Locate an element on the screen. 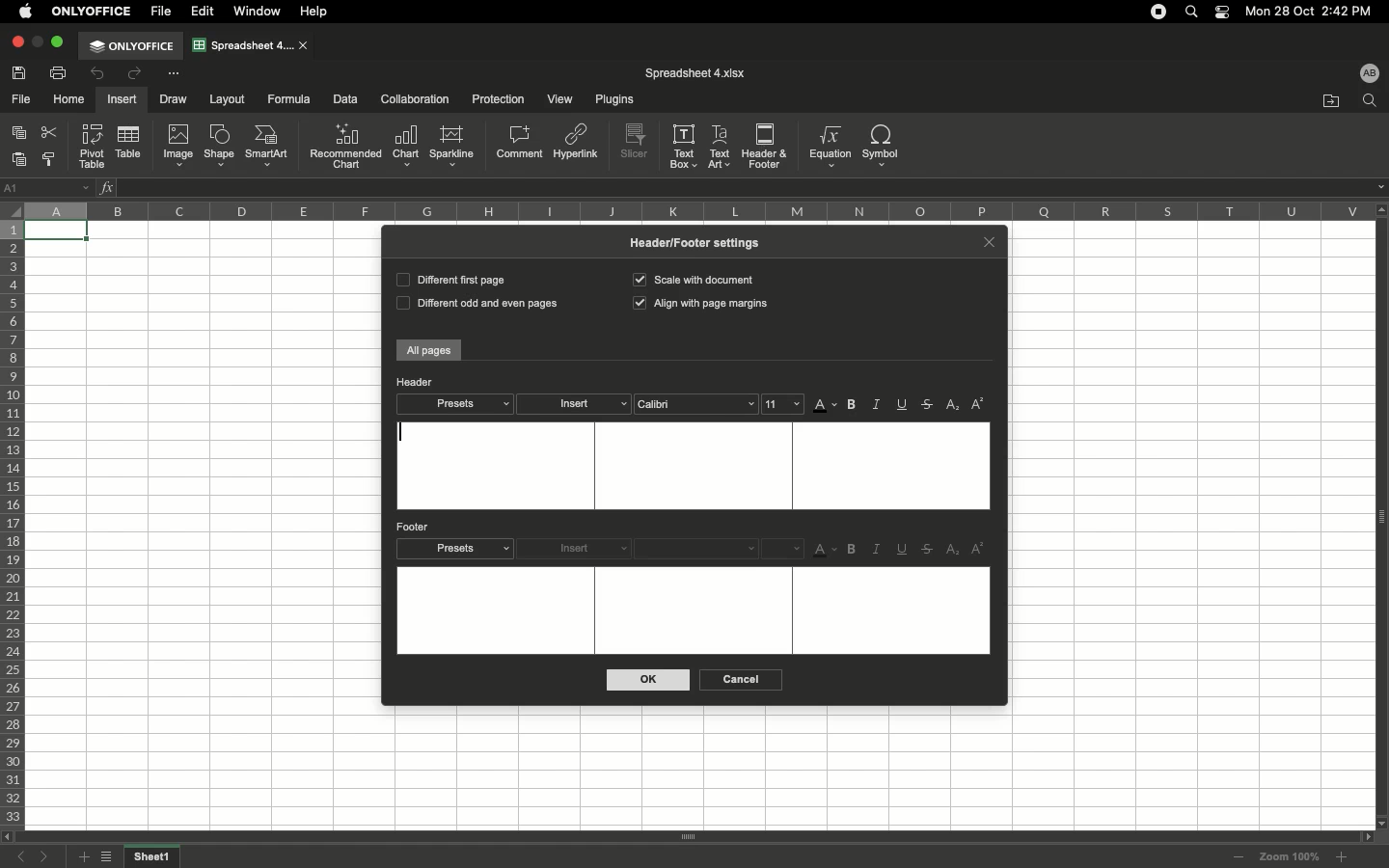 The image size is (1389, 868). Text box is located at coordinates (691, 466).